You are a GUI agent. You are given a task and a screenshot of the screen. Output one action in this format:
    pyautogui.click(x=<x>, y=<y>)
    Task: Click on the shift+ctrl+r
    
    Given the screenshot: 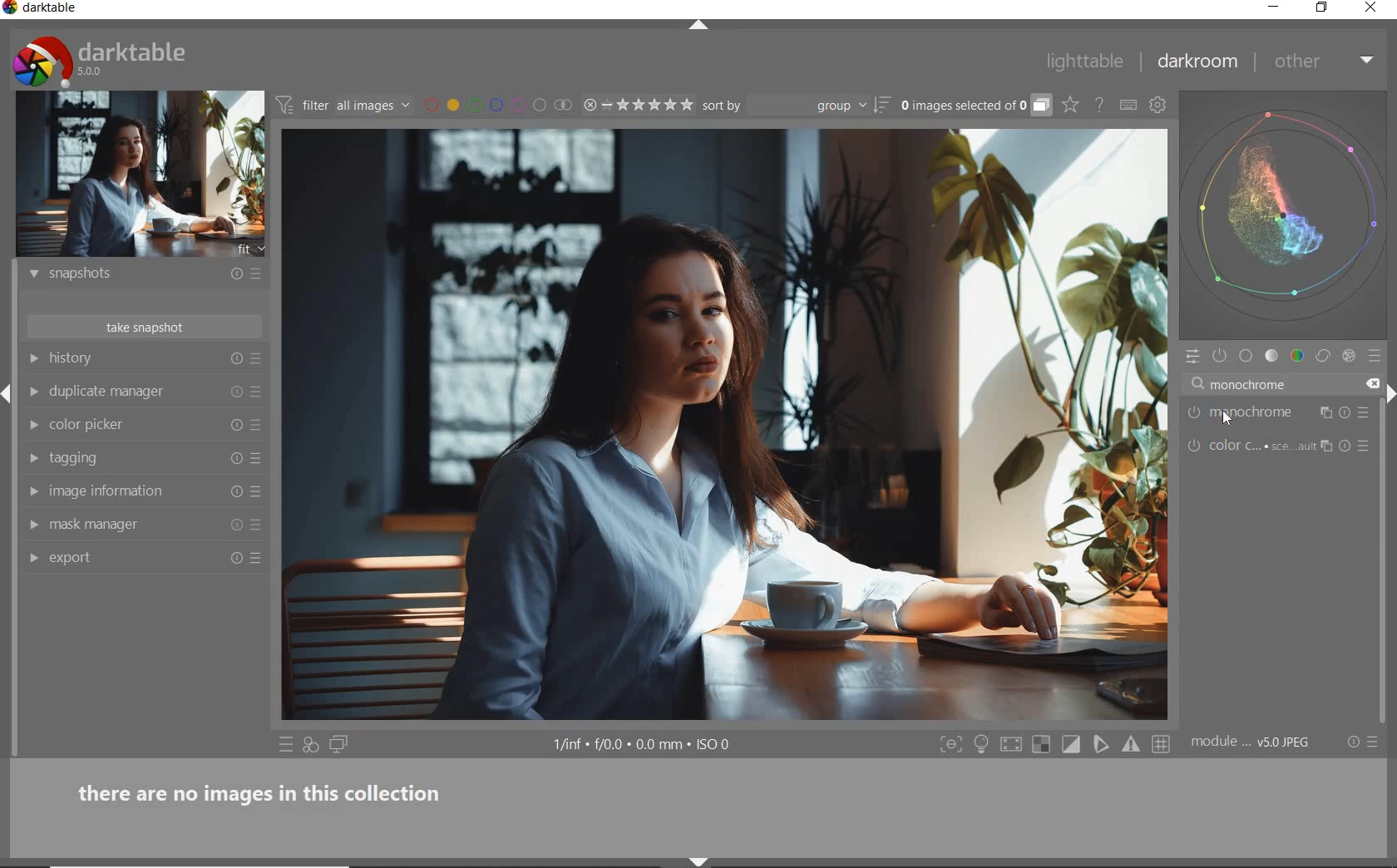 What is the action you would take?
    pyautogui.click(x=1389, y=391)
    